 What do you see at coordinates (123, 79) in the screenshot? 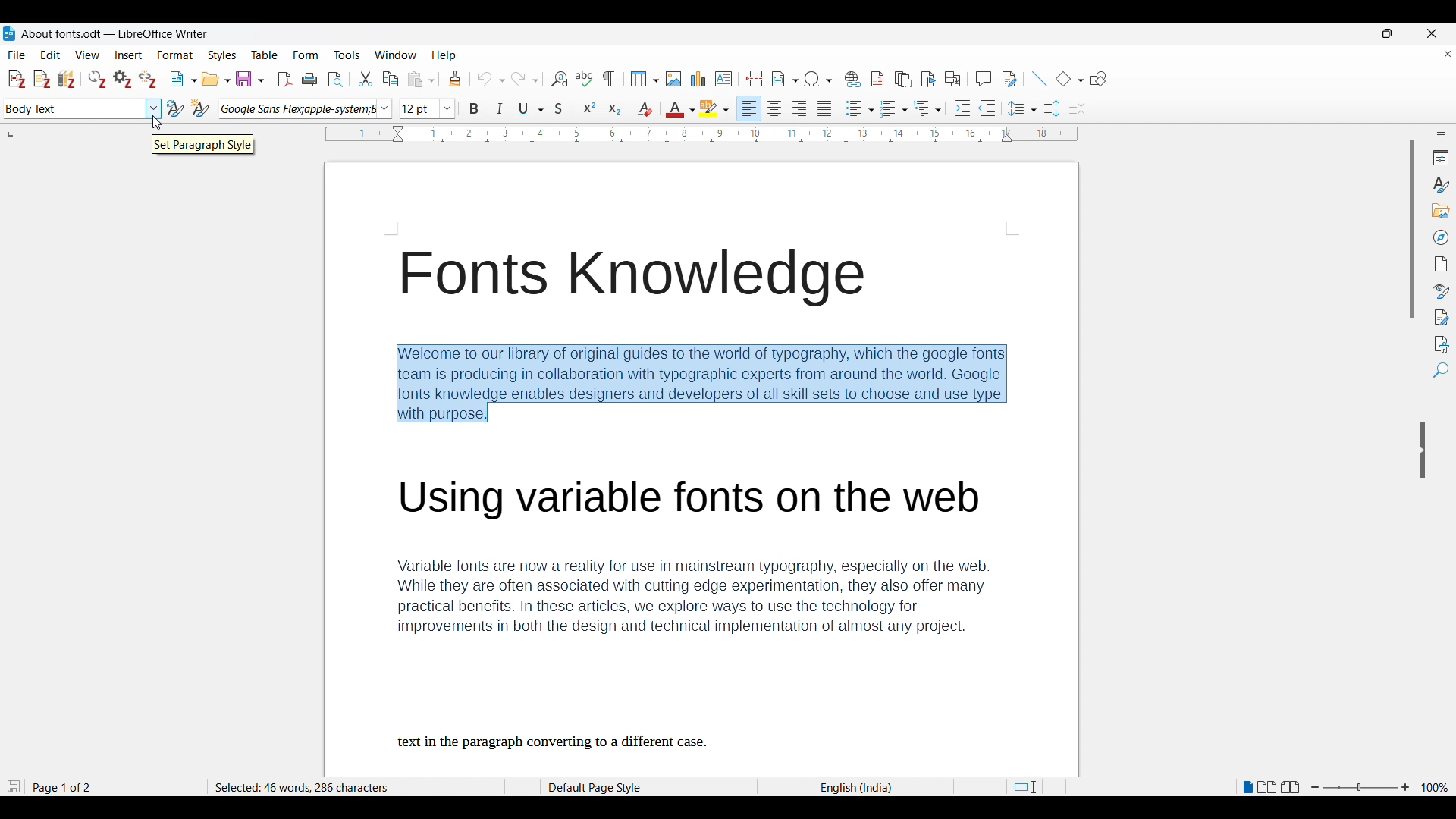
I see `Set document preferences` at bounding box center [123, 79].